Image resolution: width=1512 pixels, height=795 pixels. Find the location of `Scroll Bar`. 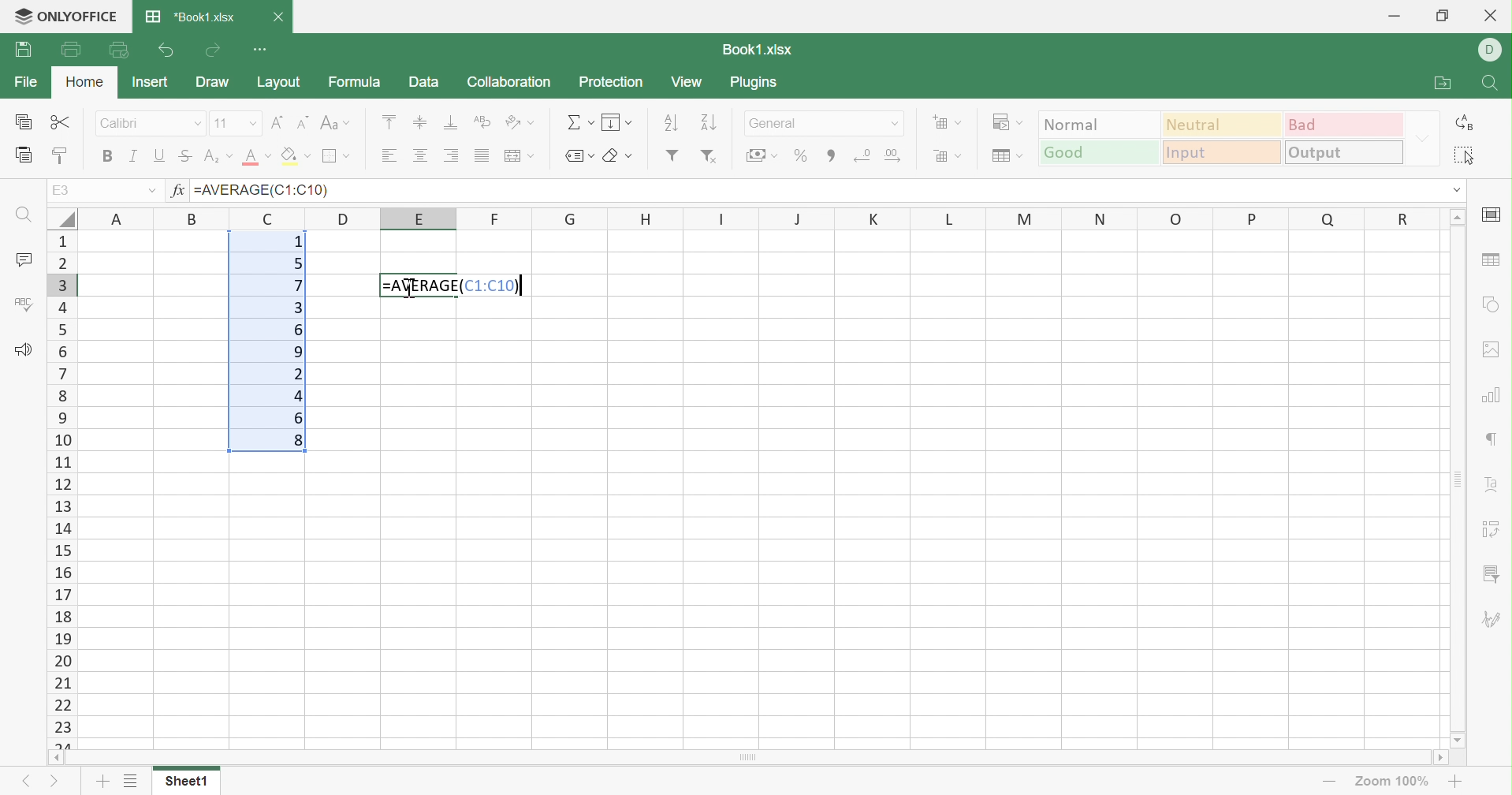

Scroll Bar is located at coordinates (749, 757).